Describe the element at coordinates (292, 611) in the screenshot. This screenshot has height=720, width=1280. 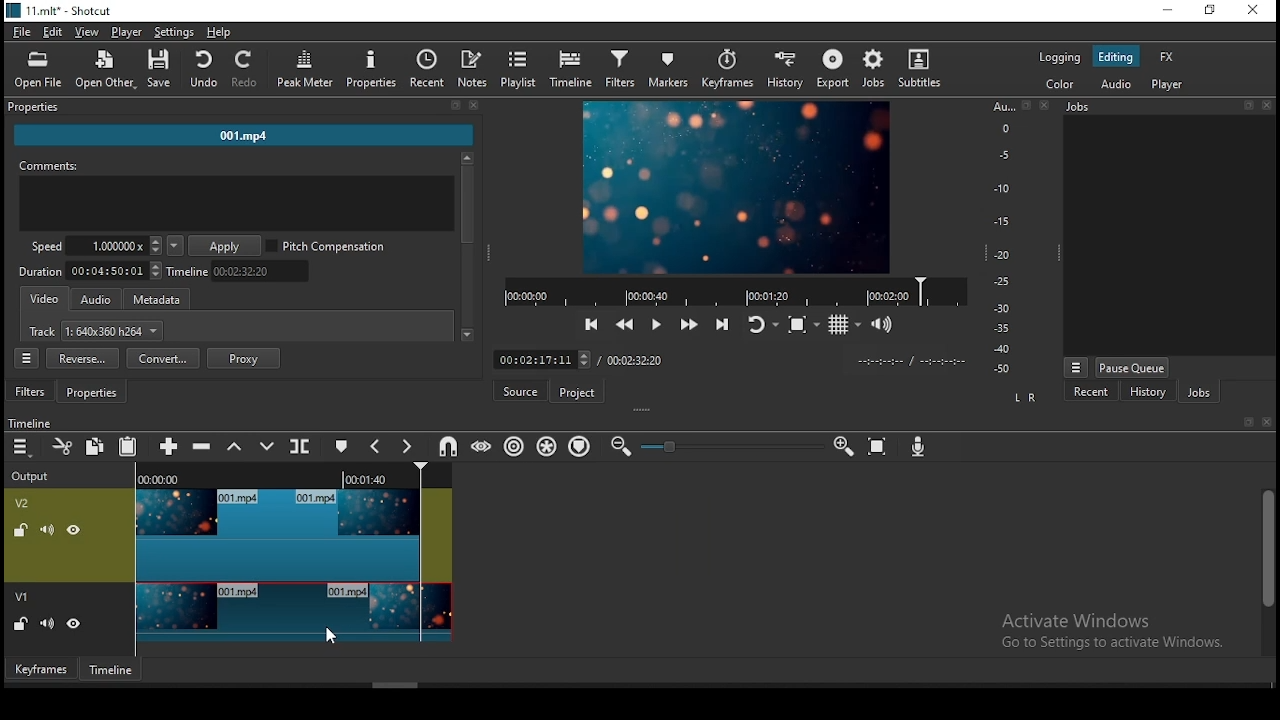
I see `video track V1` at that location.